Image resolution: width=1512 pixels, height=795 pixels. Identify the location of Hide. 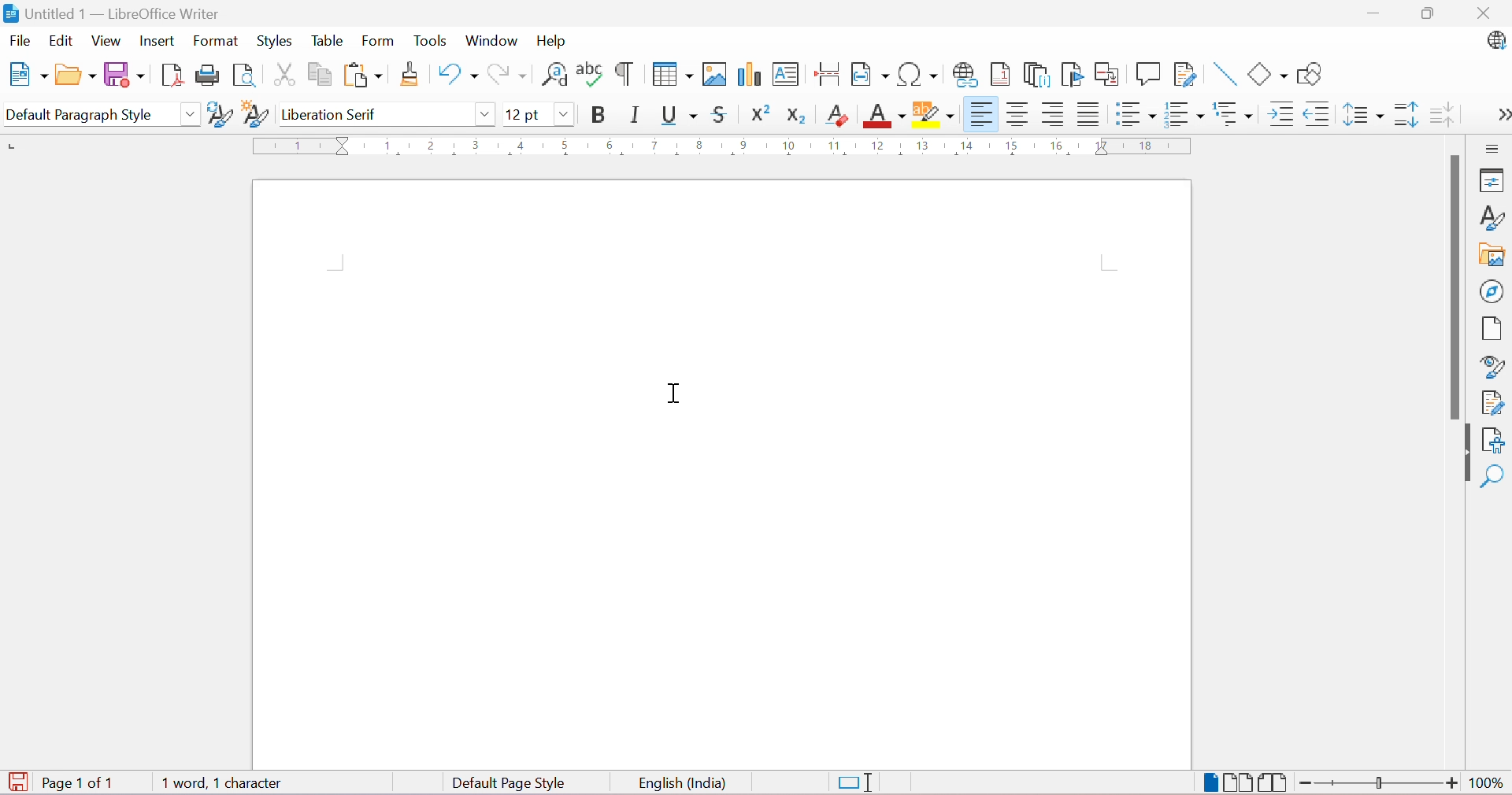
(1466, 454).